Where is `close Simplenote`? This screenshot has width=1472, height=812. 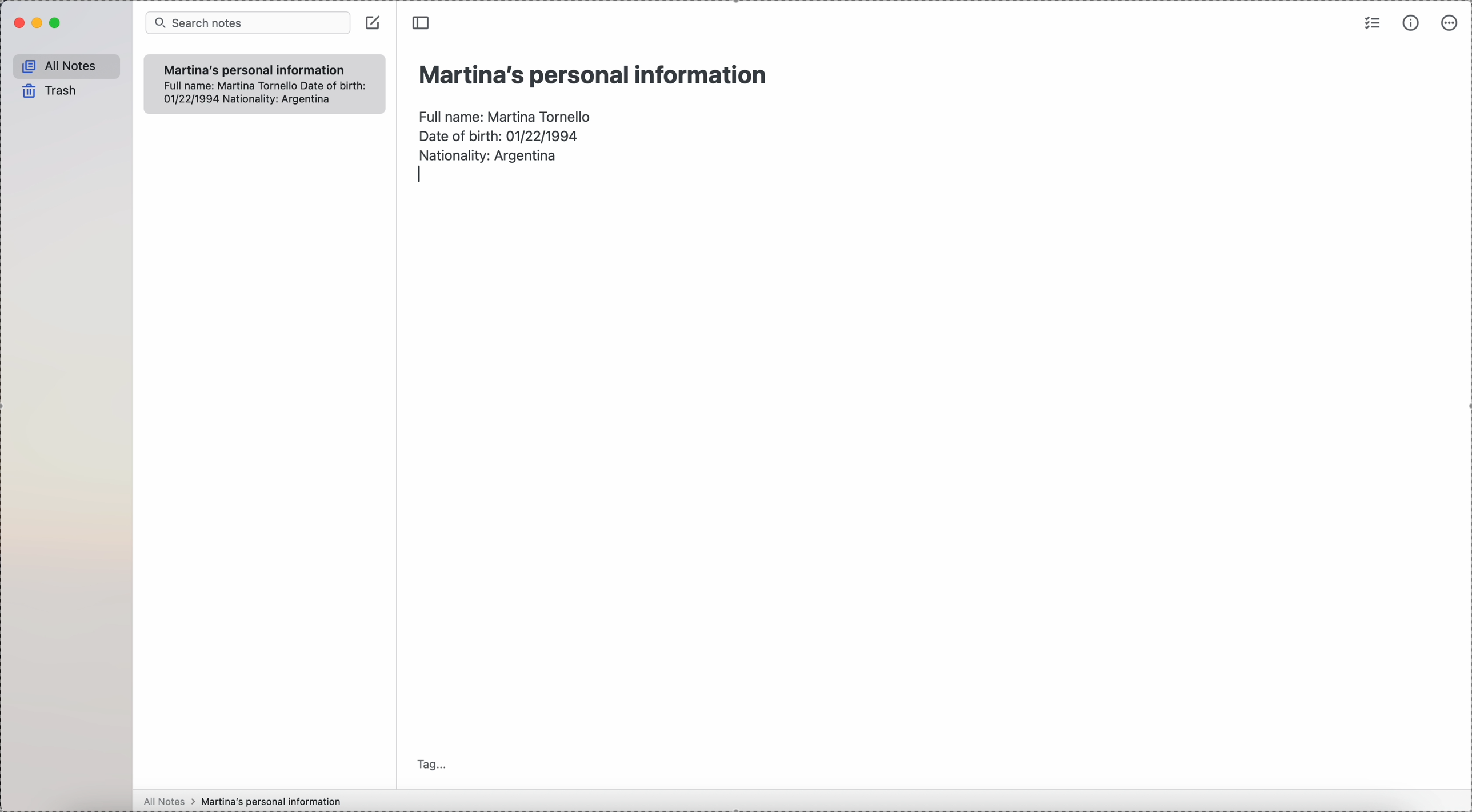
close Simplenote is located at coordinates (18, 24).